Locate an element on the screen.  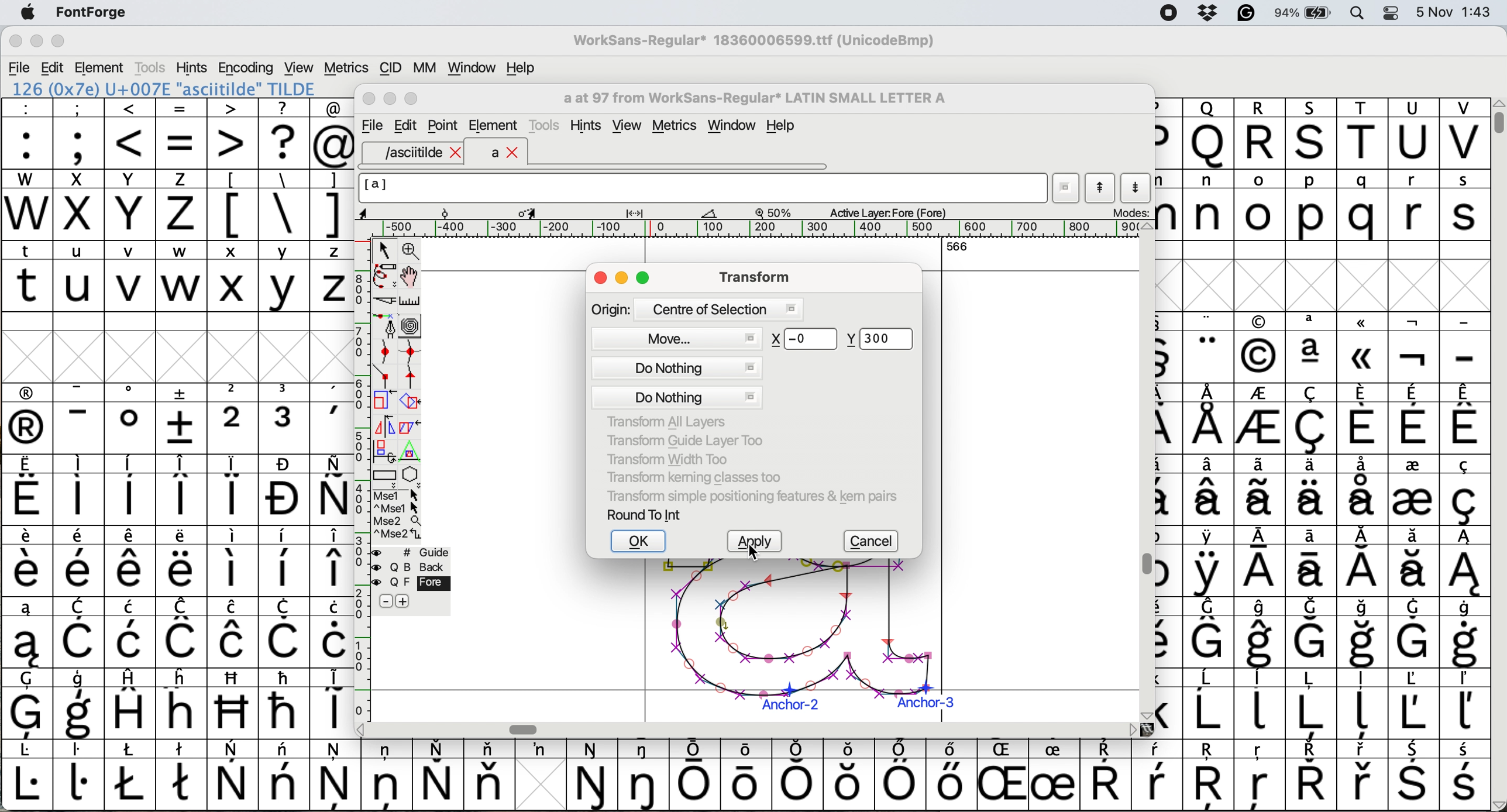
remove is located at coordinates (386, 602).